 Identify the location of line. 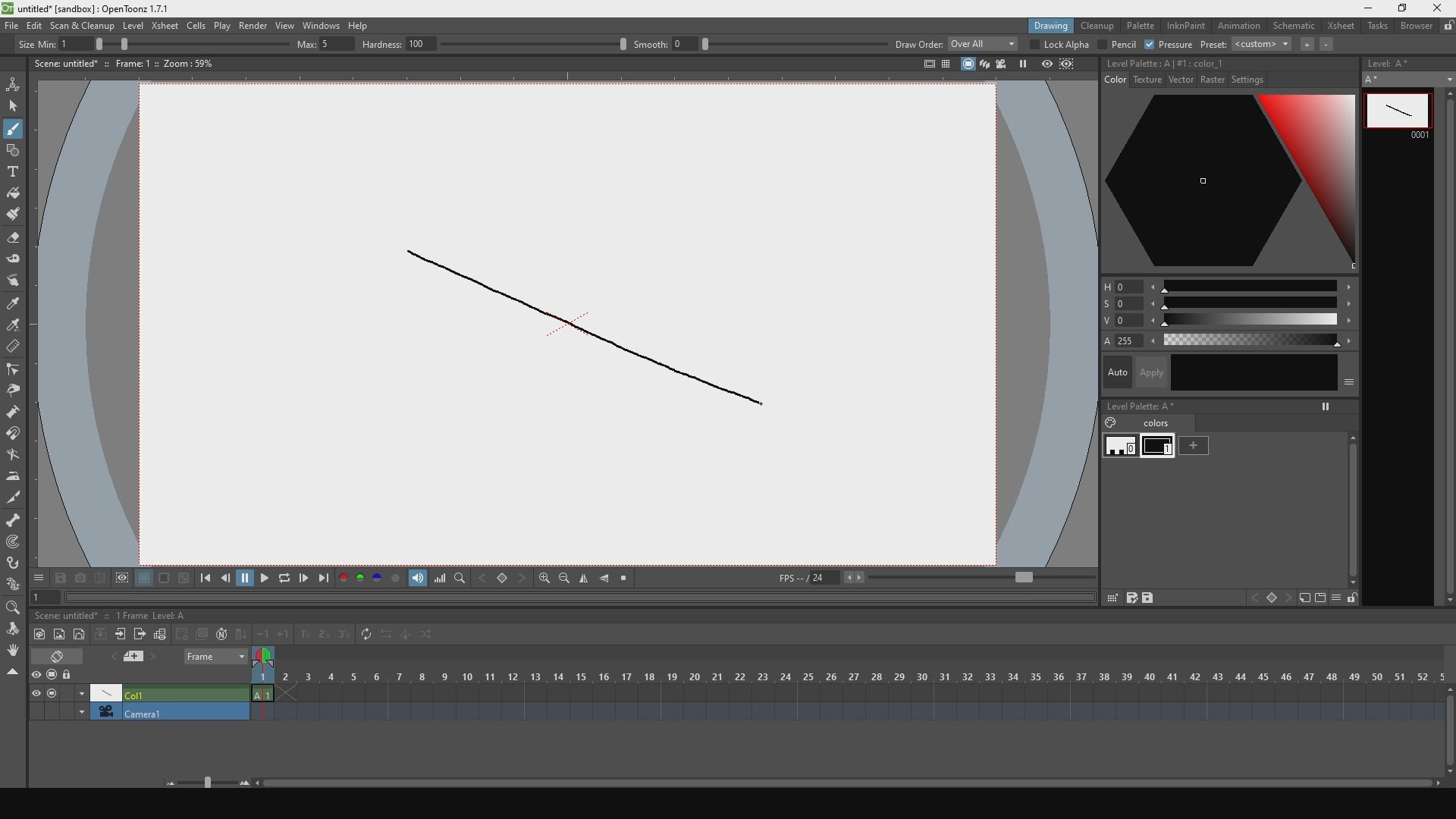
(587, 329).